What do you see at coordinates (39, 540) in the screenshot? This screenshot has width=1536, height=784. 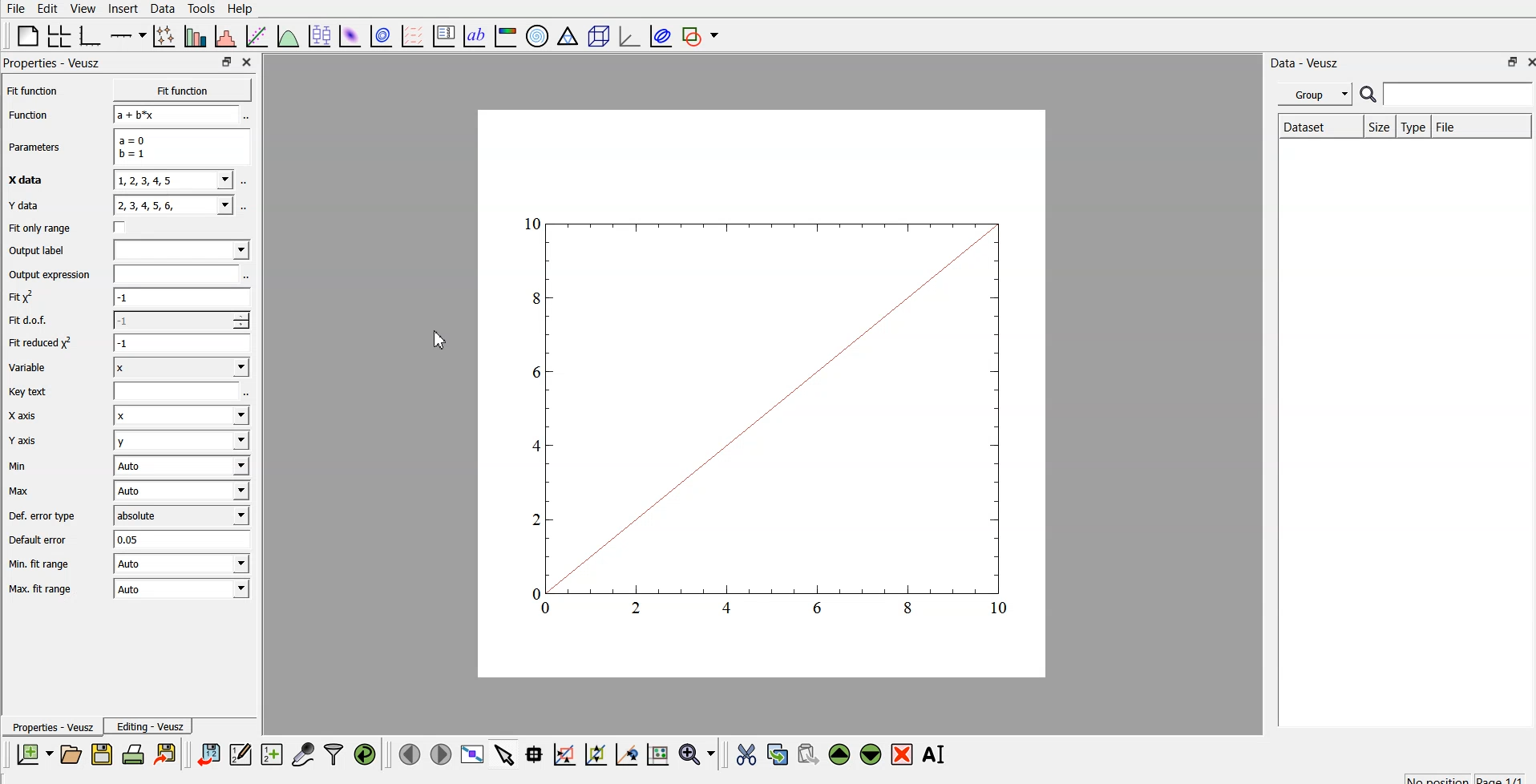 I see `Default error` at bounding box center [39, 540].